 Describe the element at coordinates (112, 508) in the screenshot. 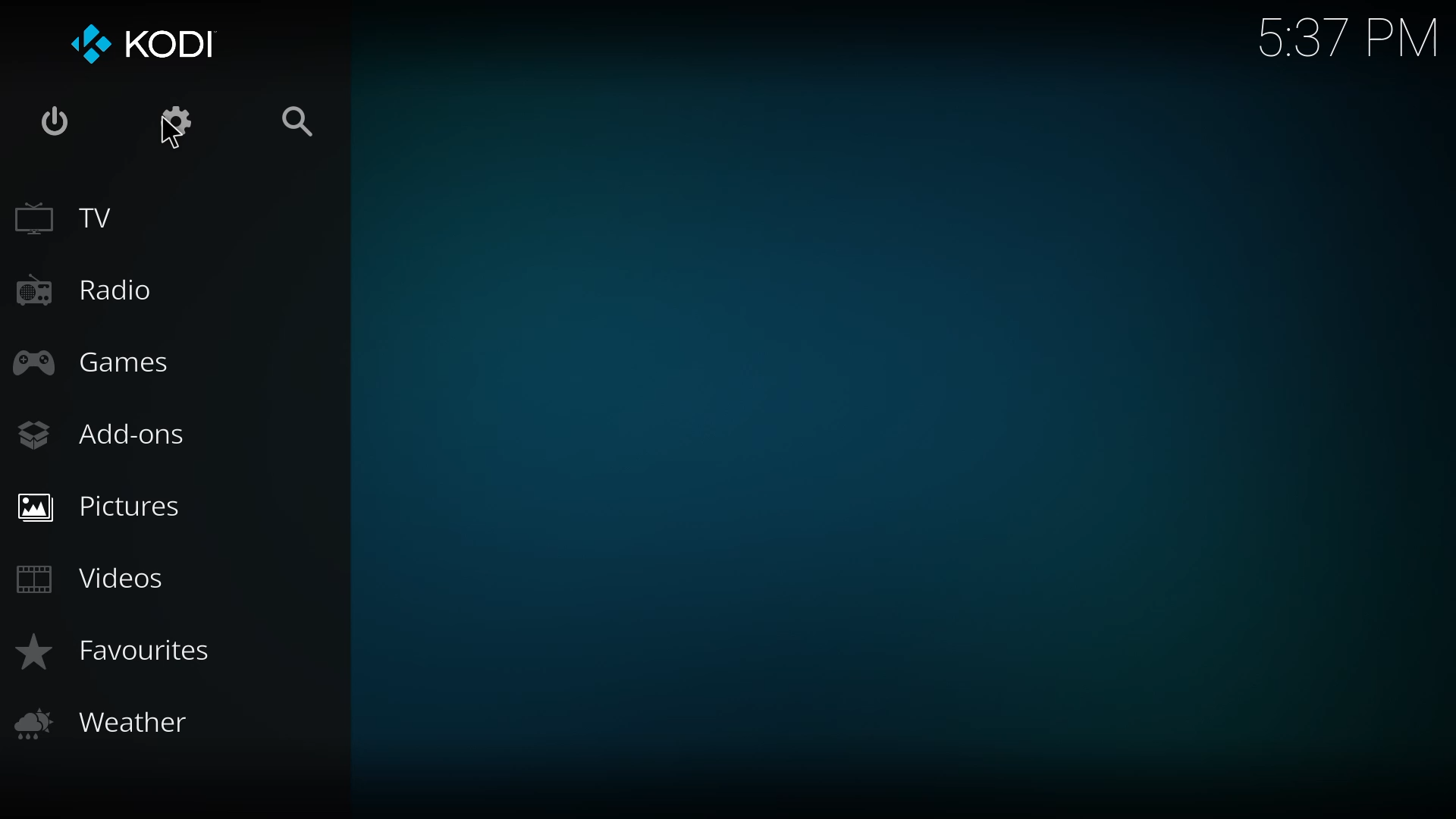

I see `pictures` at that location.